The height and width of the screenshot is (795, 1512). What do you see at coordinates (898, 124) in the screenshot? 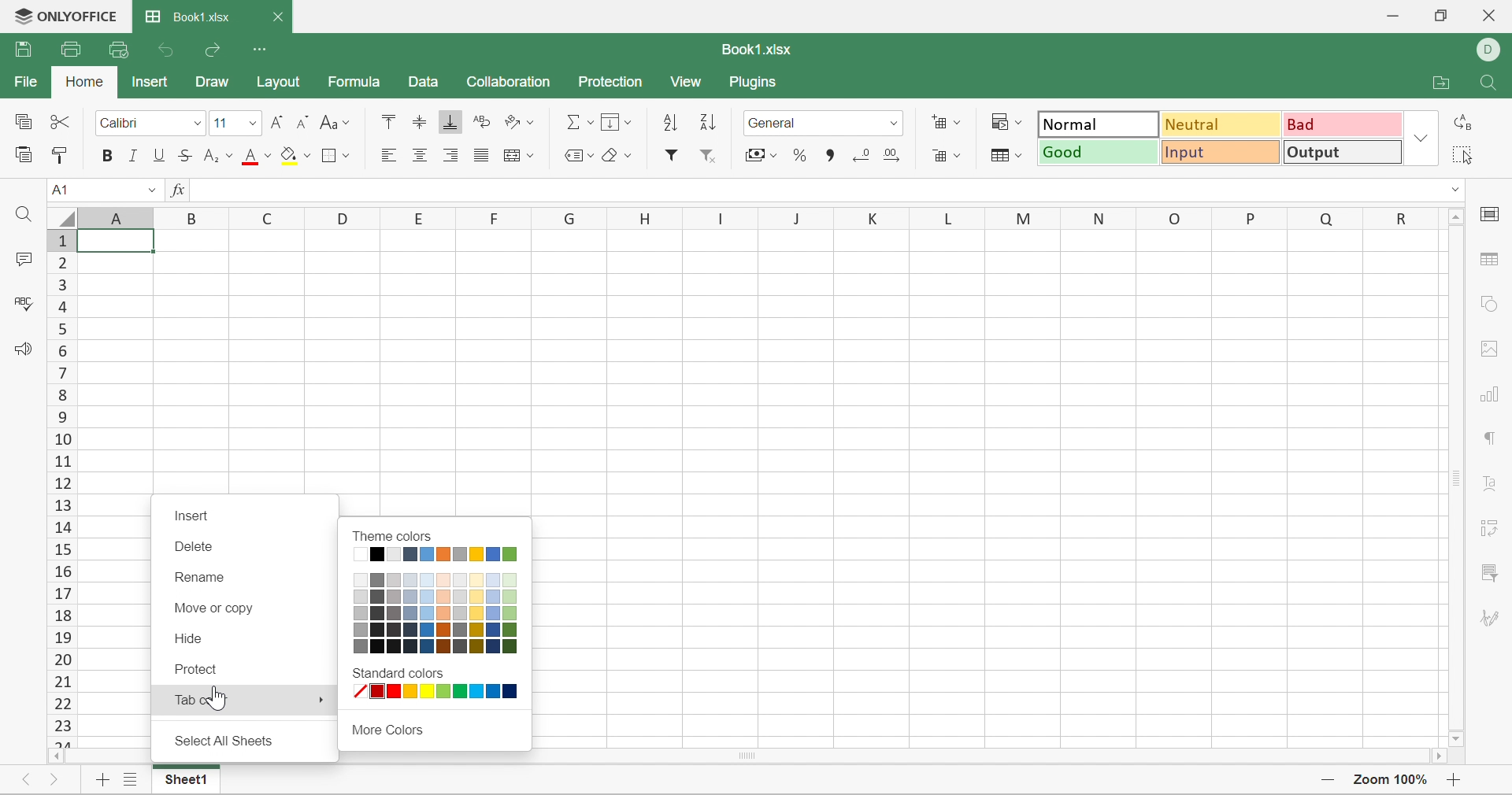
I see `Drop down` at bounding box center [898, 124].